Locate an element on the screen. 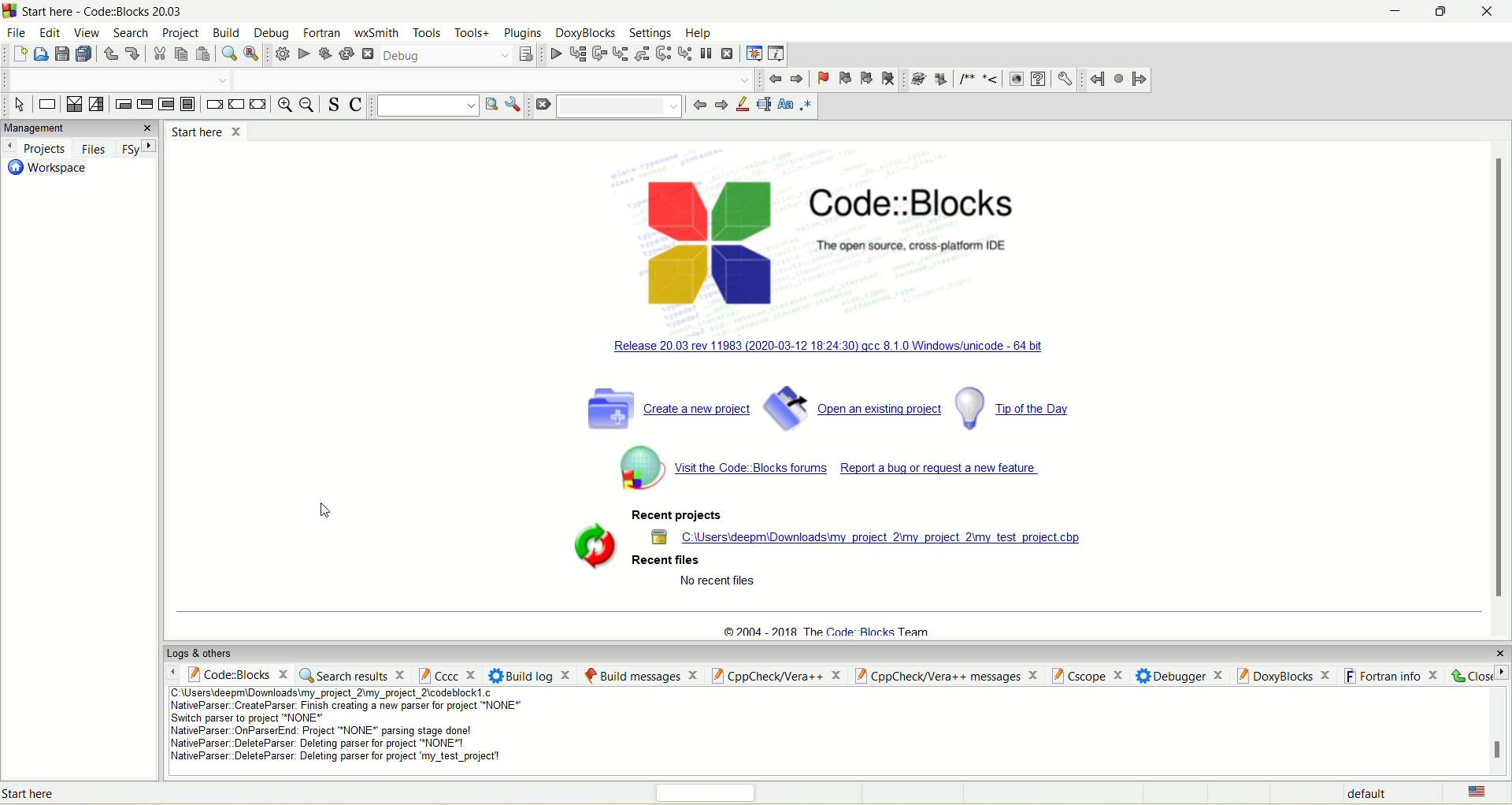 This screenshot has width=1512, height=805. jump forward is located at coordinates (795, 78).